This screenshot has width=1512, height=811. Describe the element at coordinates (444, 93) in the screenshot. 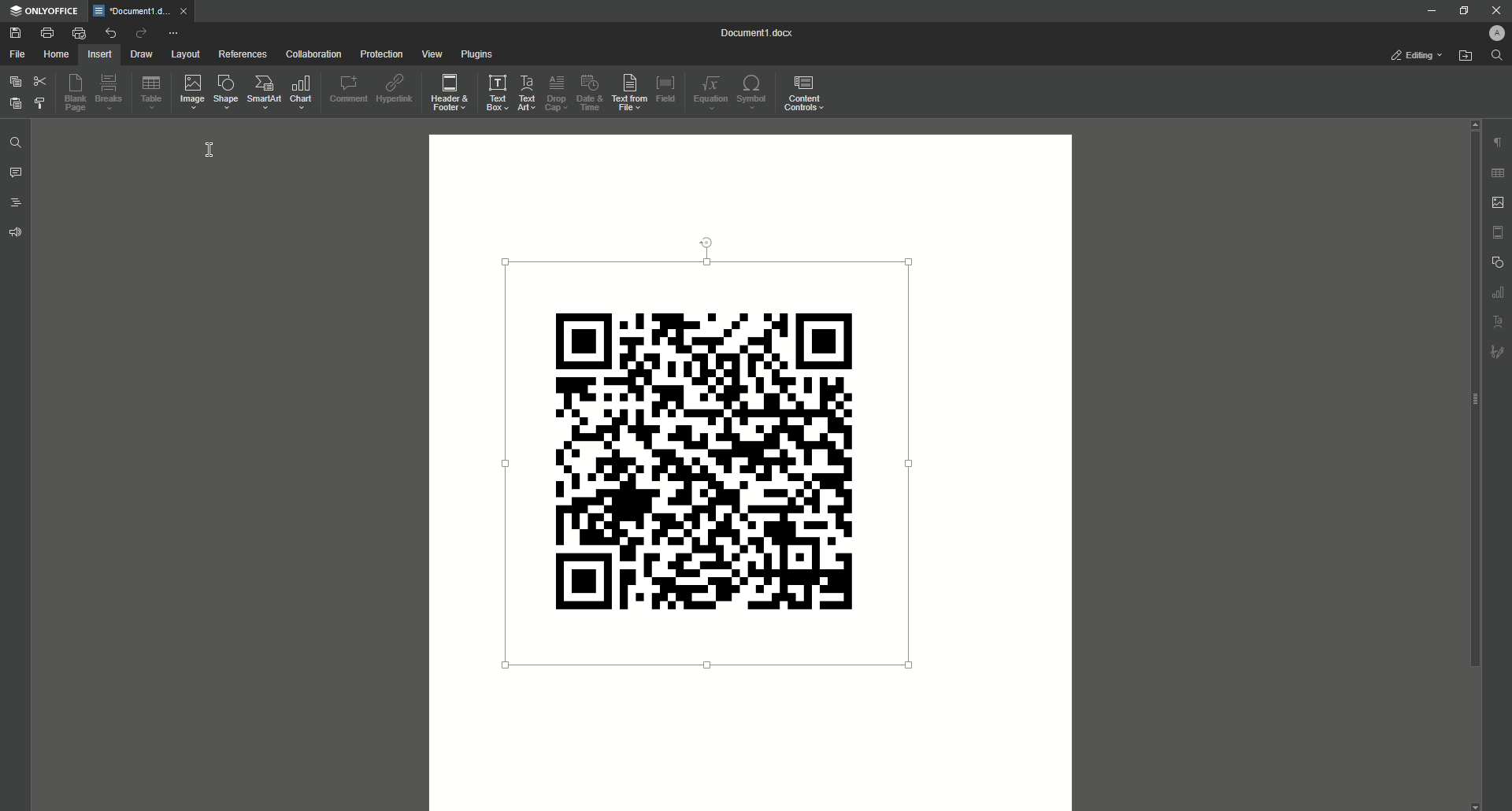

I see `Header and Footer` at that location.